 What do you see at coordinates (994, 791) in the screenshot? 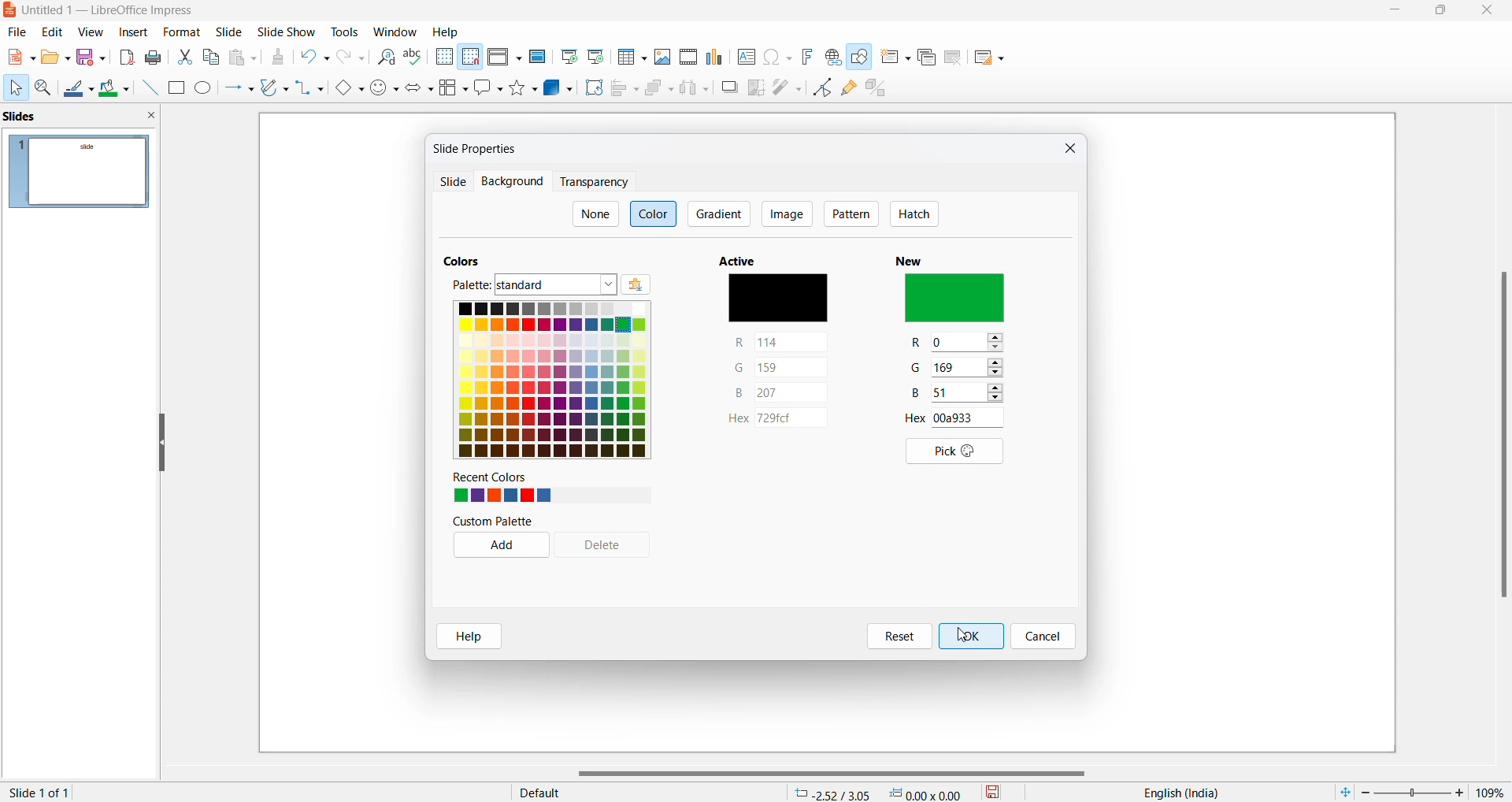
I see `save` at bounding box center [994, 791].